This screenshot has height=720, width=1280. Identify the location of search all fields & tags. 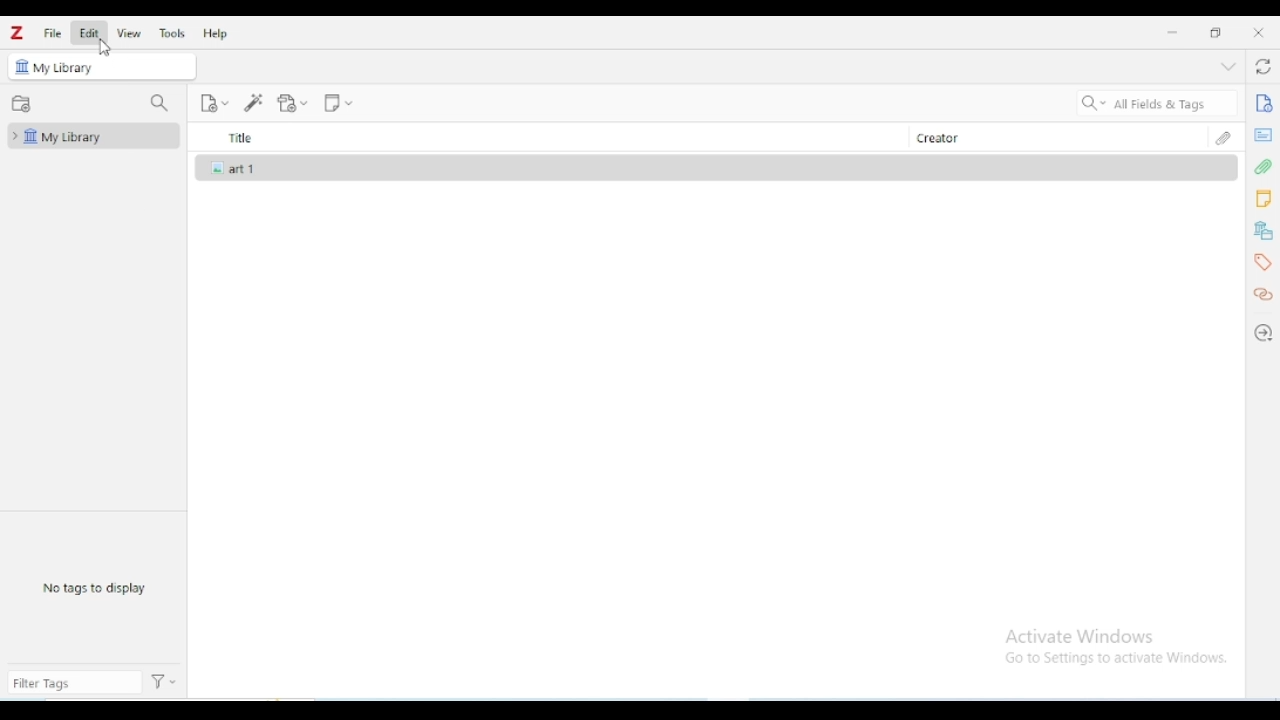
(1155, 103).